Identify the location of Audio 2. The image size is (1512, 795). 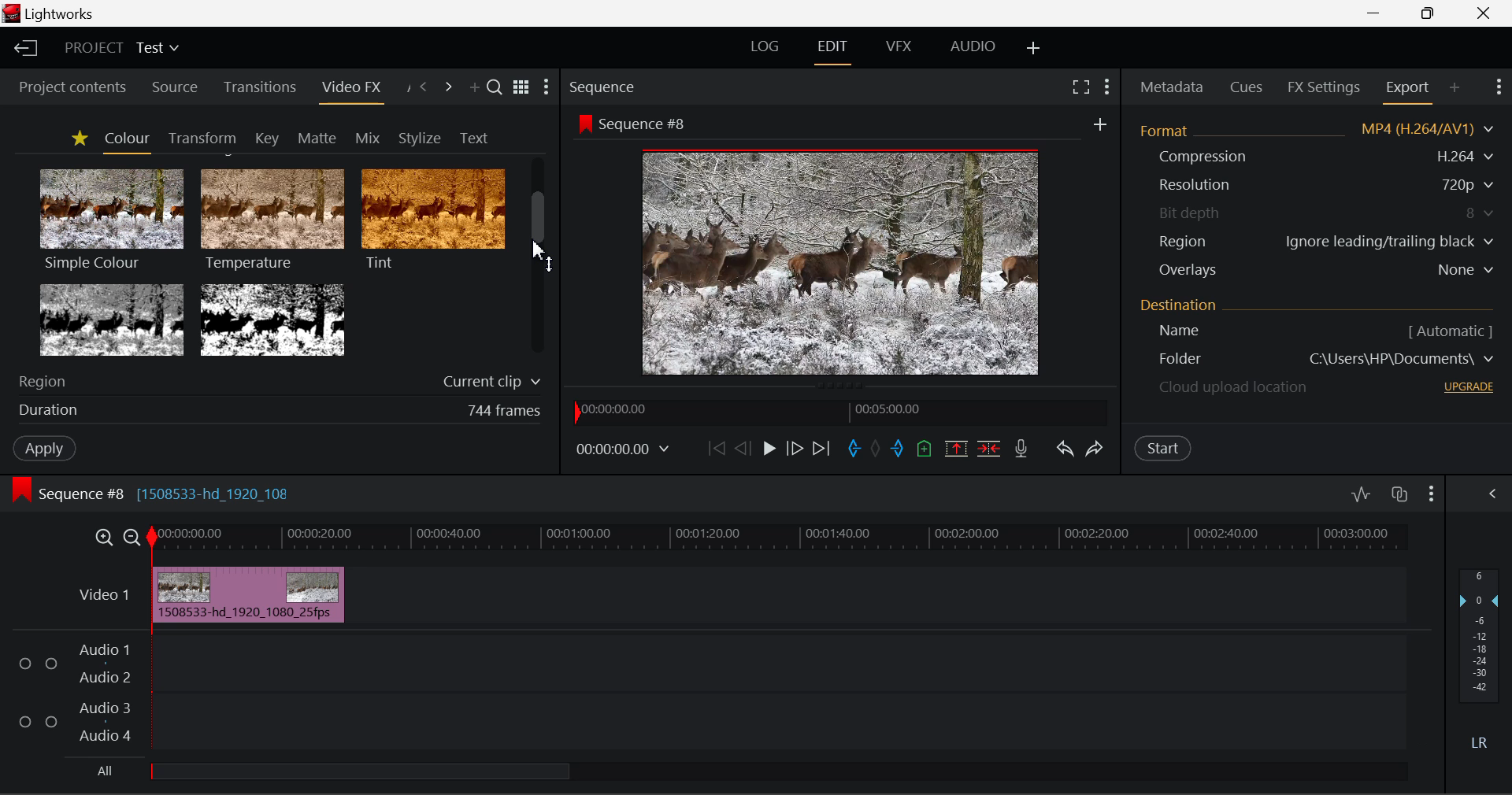
(98, 675).